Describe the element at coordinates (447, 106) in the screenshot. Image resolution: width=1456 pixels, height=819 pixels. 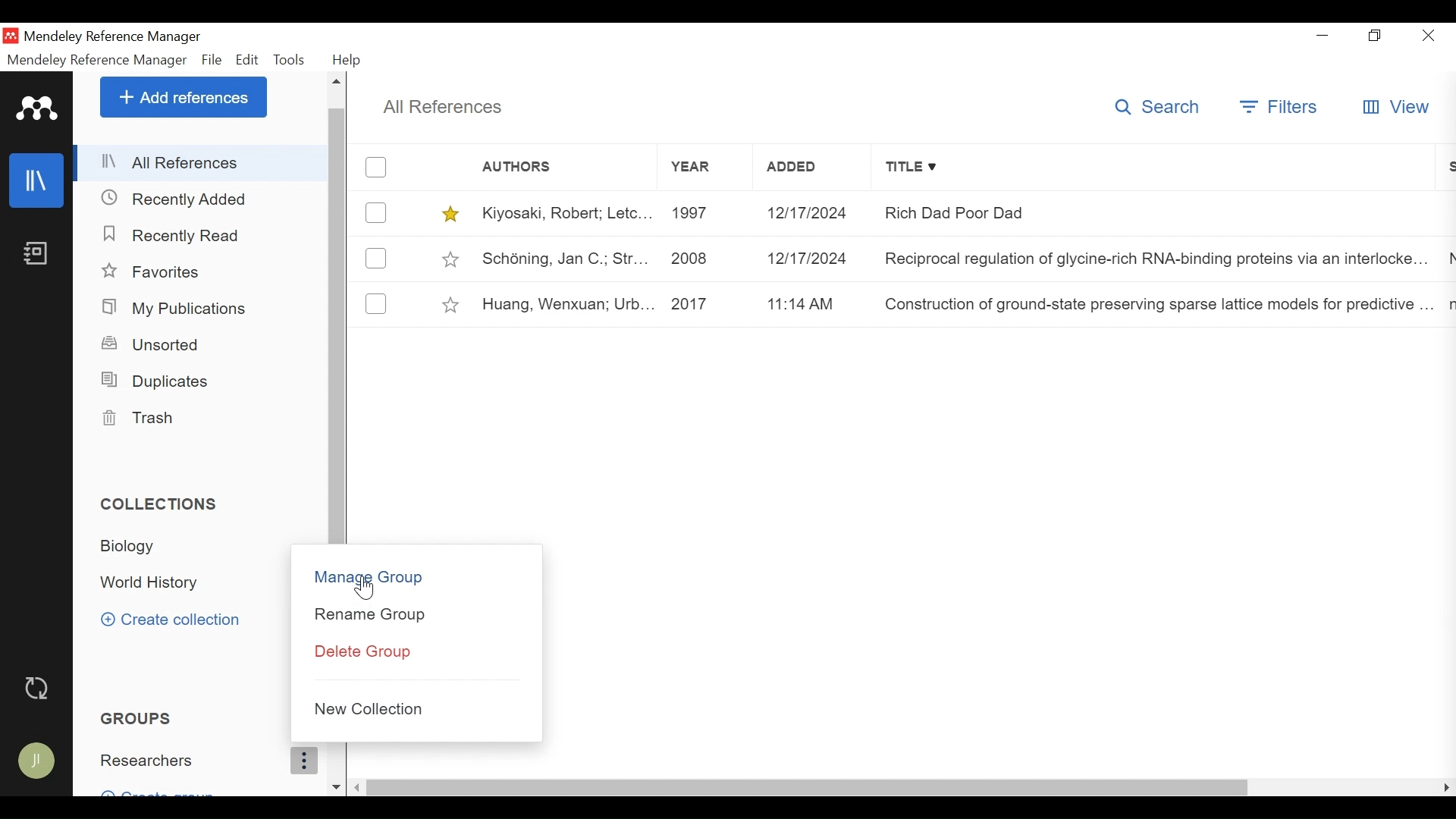
I see `All References` at that location.